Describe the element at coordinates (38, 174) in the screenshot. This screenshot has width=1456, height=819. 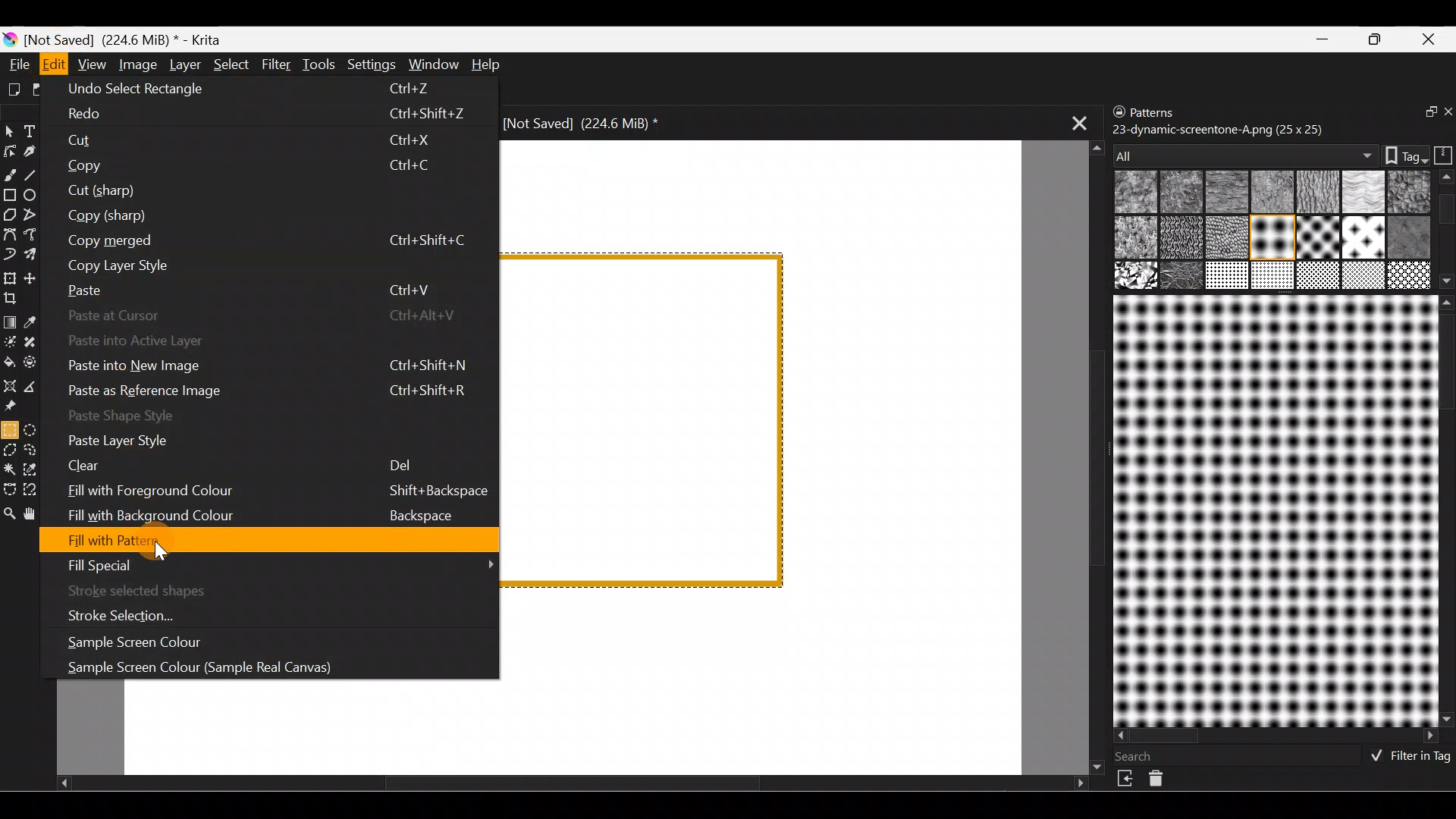
I see `Line tool` at that location.